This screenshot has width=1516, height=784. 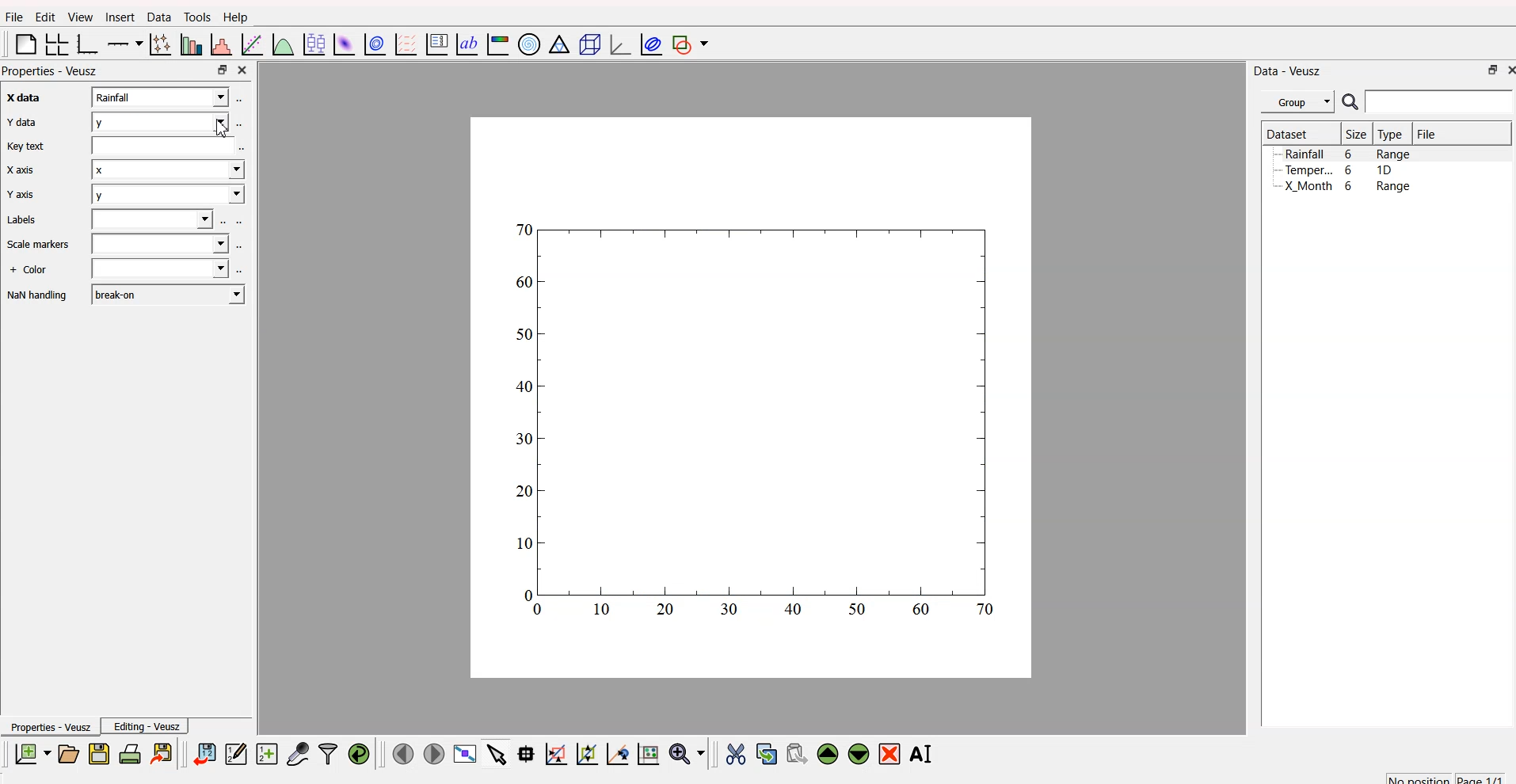 I want to click on field, so click(x=158, y=270).